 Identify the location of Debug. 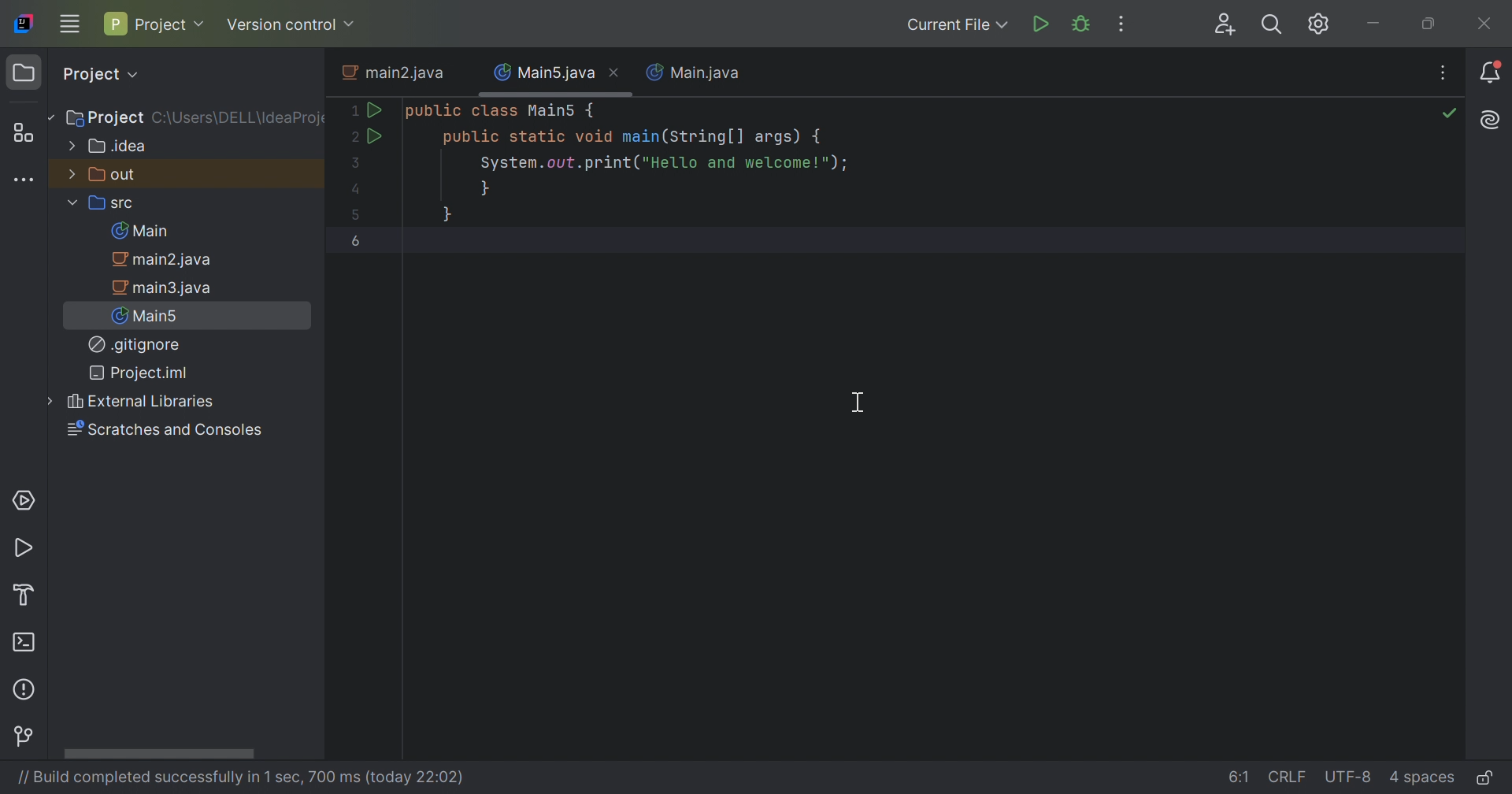
(1084, 24).